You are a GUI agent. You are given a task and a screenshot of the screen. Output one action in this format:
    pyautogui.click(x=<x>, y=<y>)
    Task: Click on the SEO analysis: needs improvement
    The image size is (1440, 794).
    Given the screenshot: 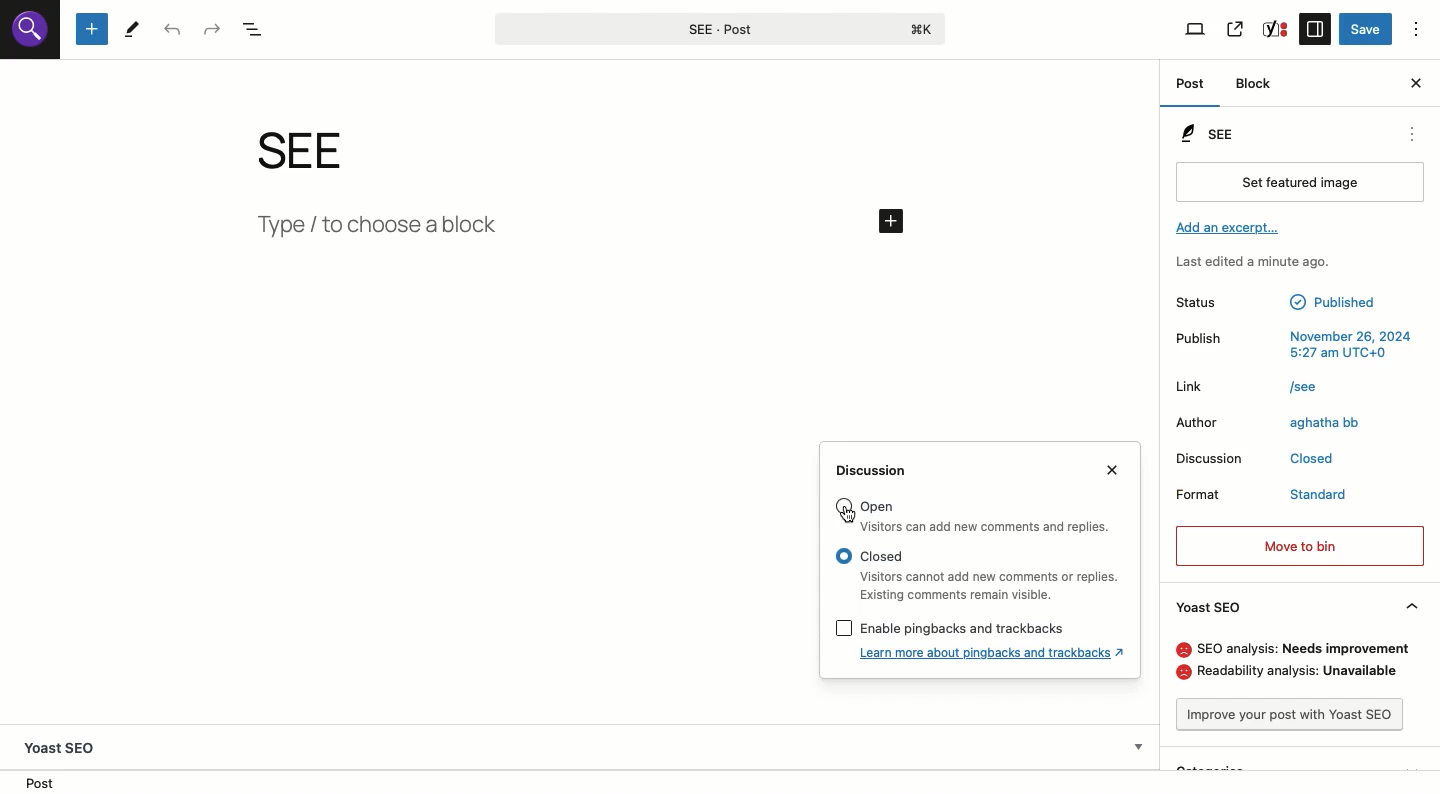 What is the action you would take?
    pyautogui.click(x=1294, y=650)
    